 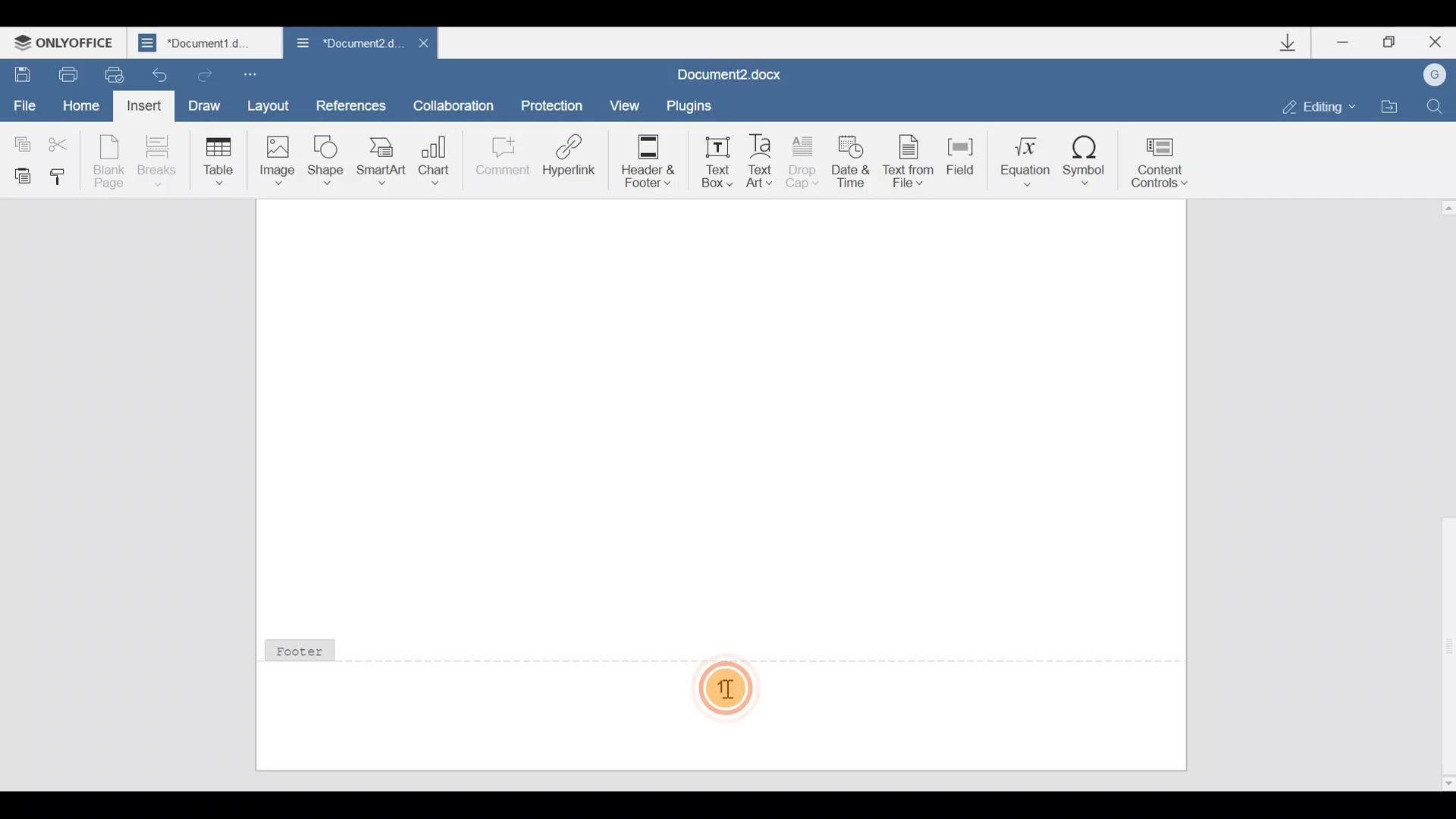 I want to click on Header & footer, so click(x=643, y=160).